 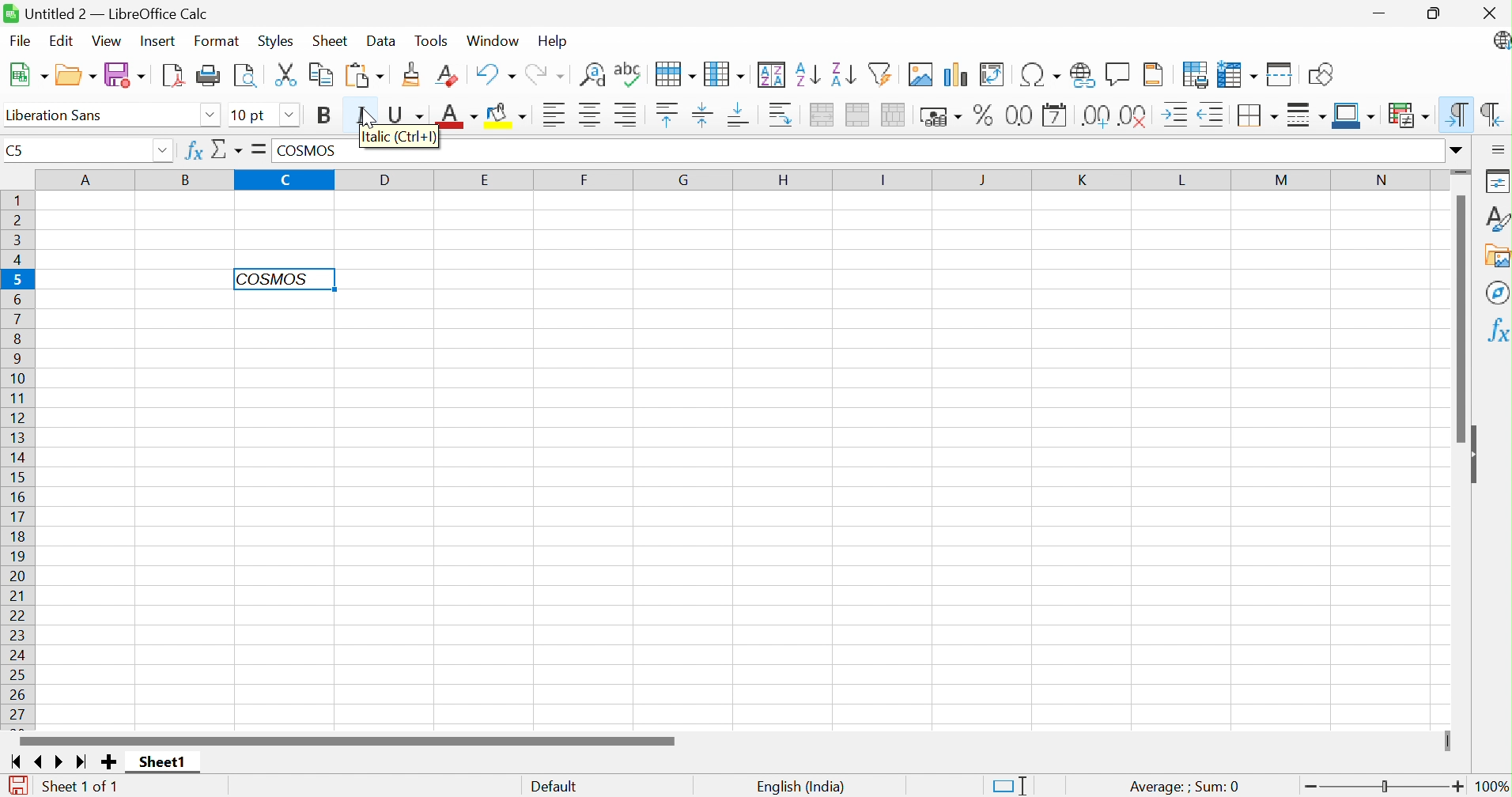 I want to click on Align right, so click(x=556, y=114).